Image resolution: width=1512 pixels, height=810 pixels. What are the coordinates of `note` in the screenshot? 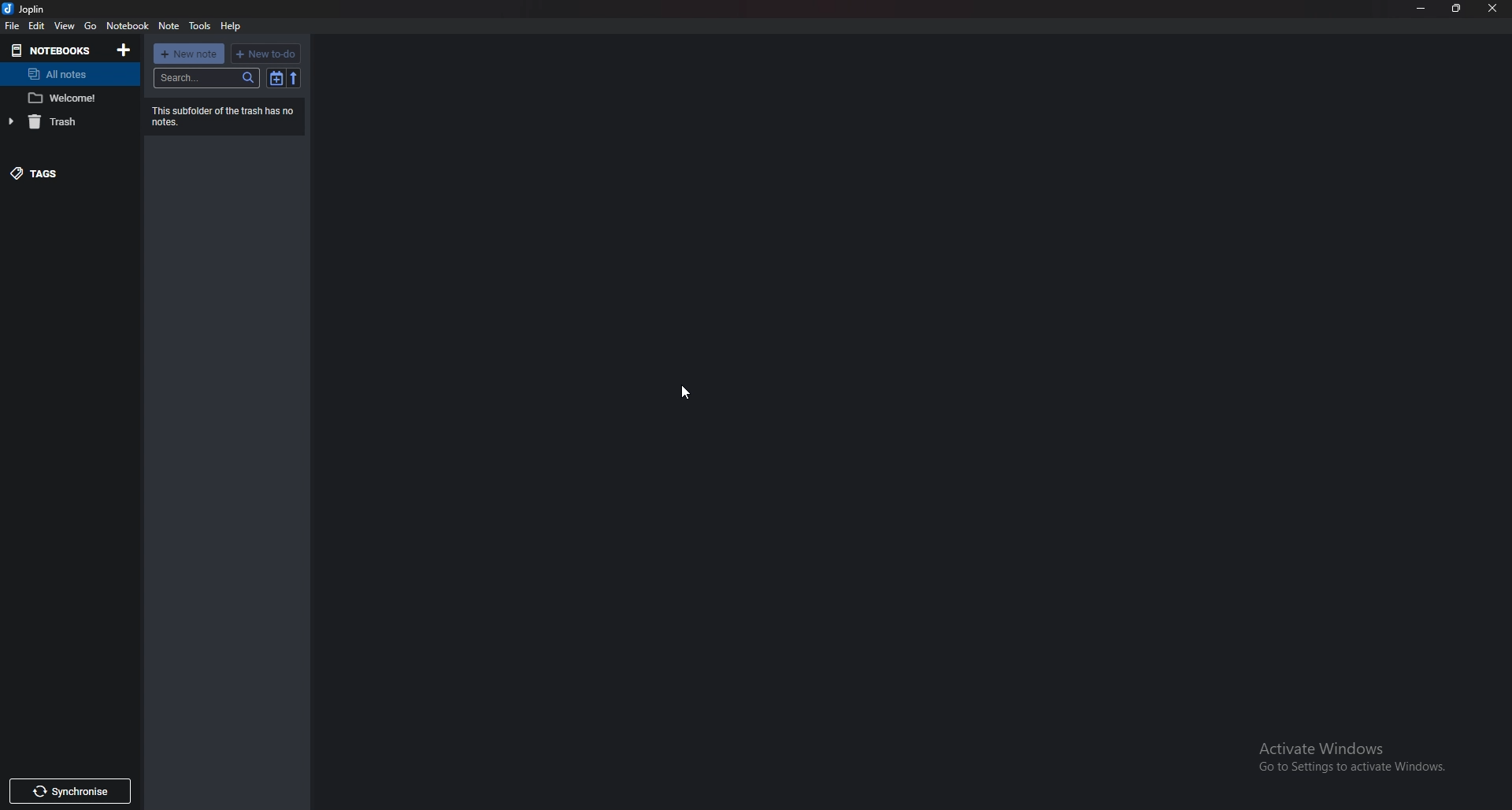 It's located at (169, 26).